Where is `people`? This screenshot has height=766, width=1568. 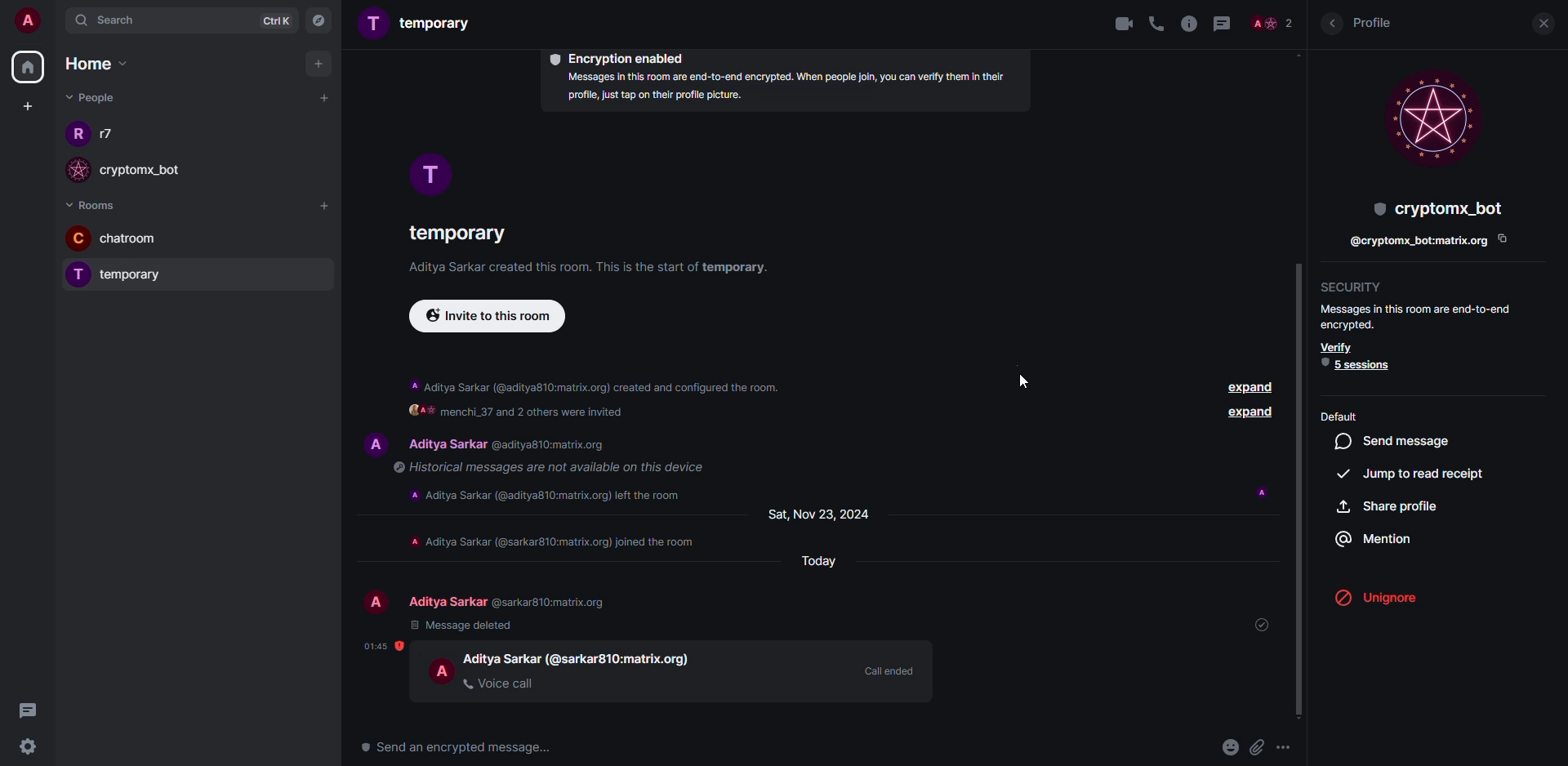 people is located at coordinates (513, 445).